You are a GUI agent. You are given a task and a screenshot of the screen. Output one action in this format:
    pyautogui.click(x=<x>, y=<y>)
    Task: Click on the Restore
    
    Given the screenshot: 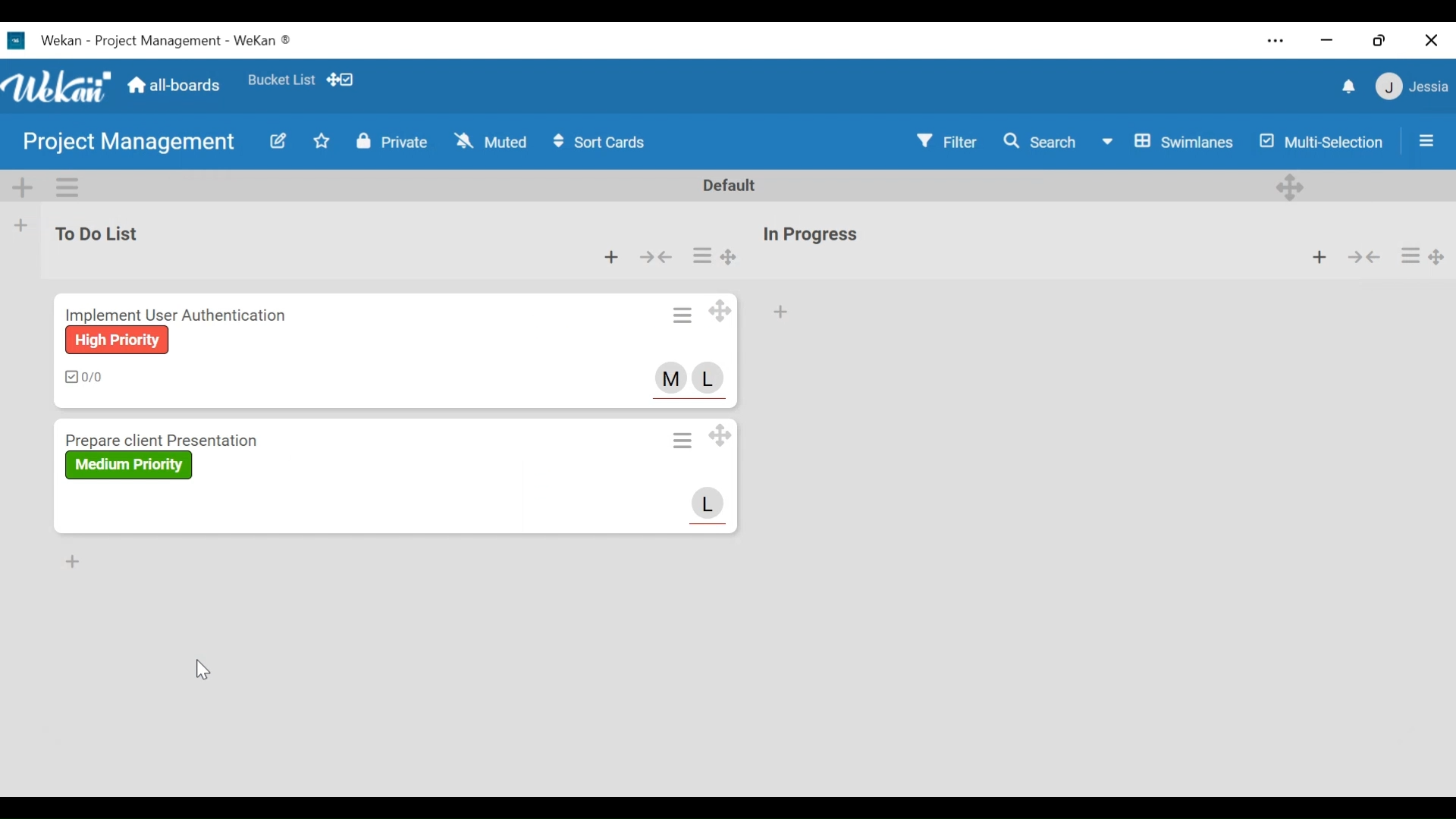 What is the action you would take?
    pyautogui.click(x=1379, y=40)
    